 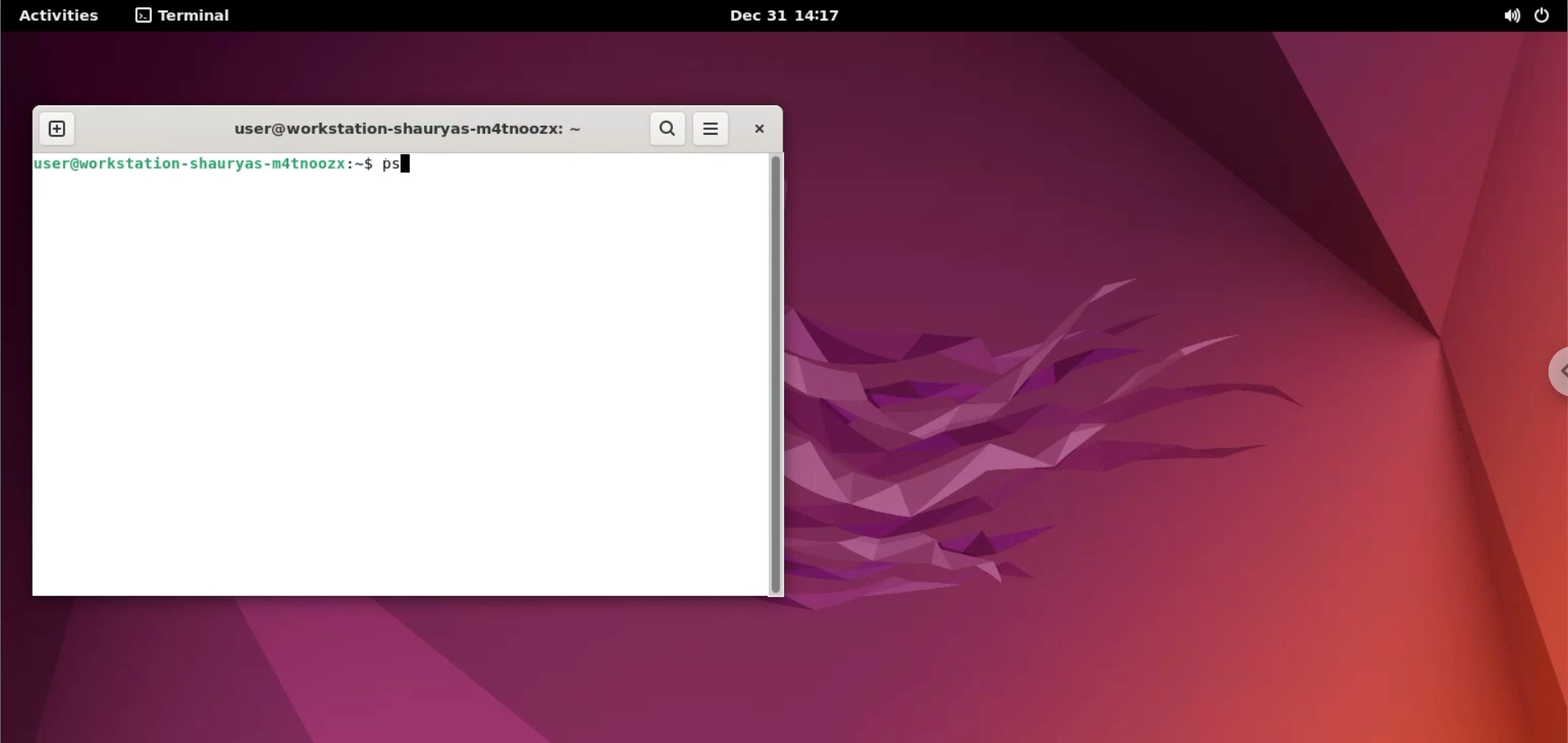 I want to click on power options, so click(x=1548, y=15).